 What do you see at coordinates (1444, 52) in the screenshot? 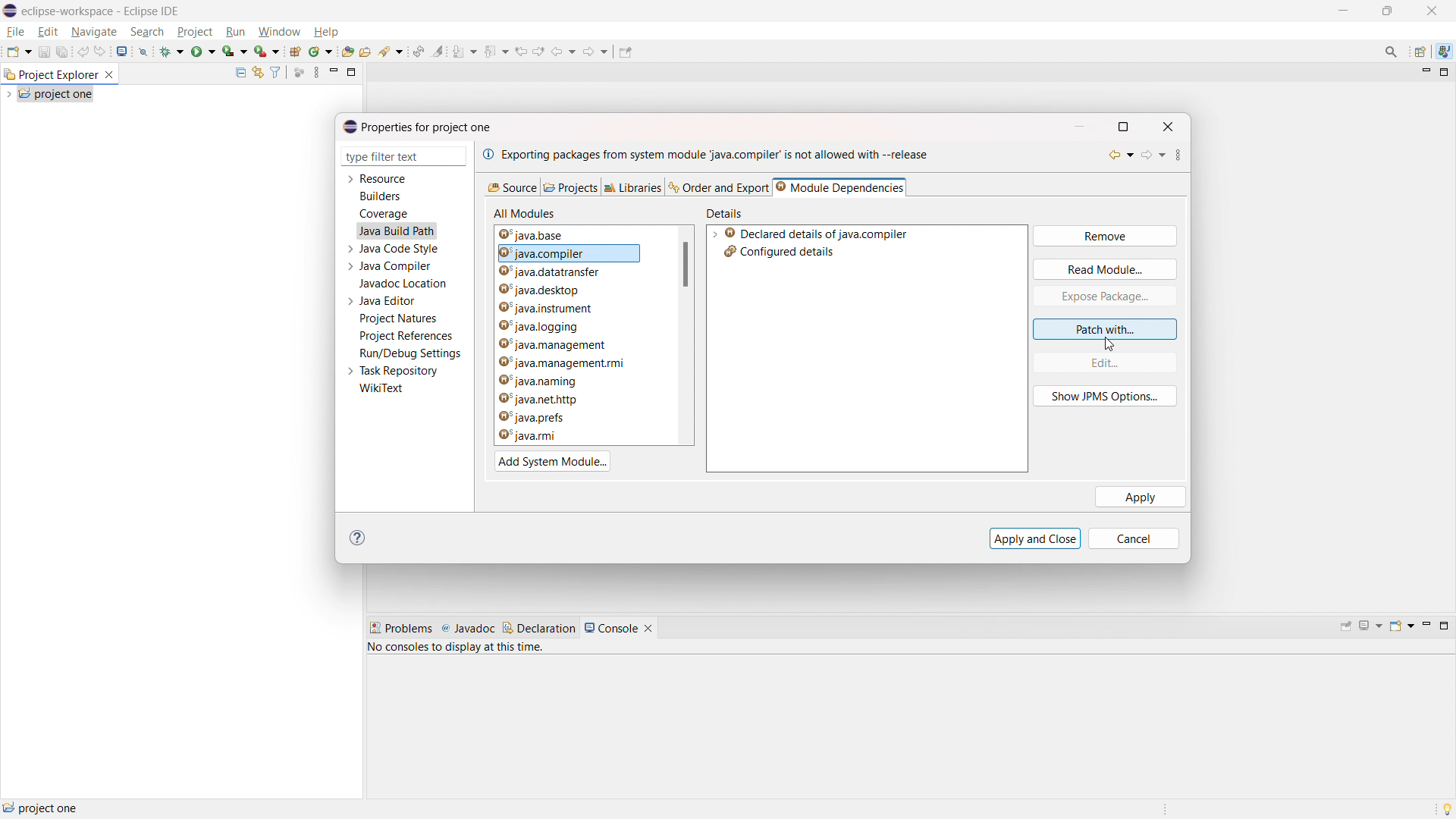
I see `java` at bounding box center [1444, 52].